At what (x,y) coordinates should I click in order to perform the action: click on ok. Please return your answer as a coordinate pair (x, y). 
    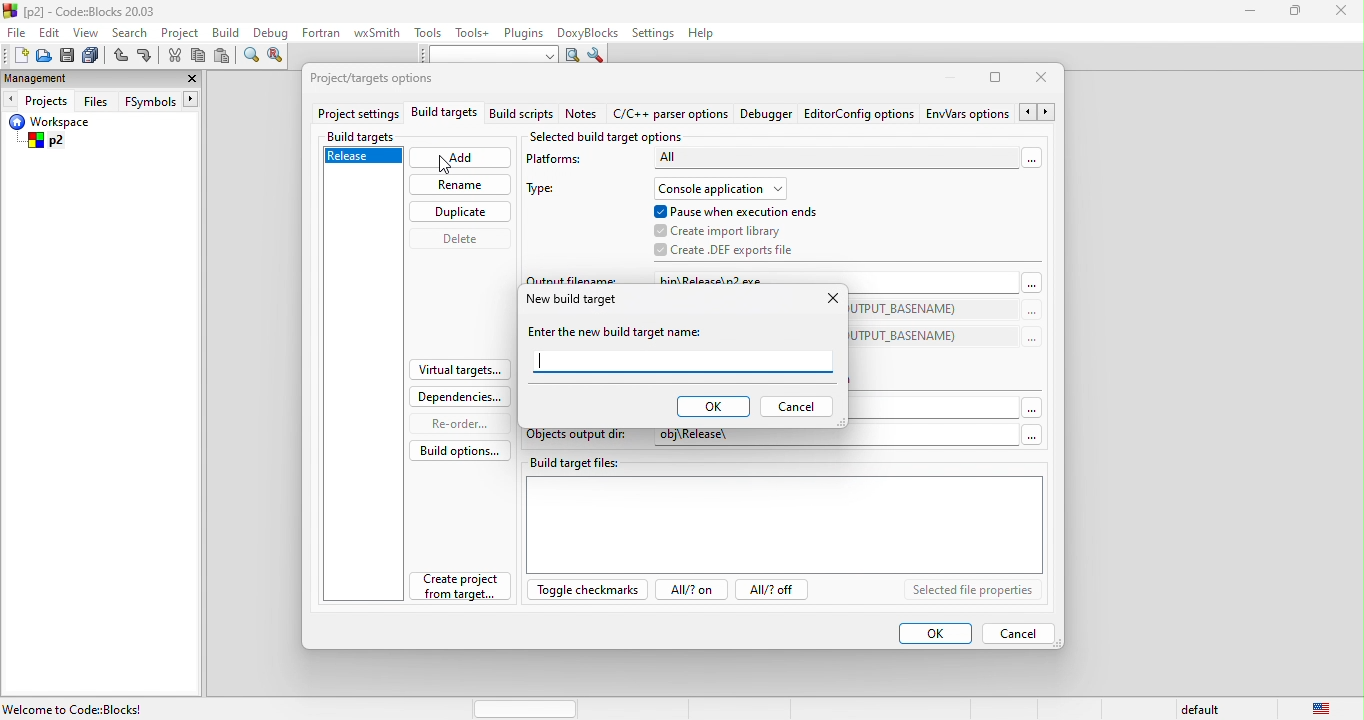
    Looking at the image, I should click on (711, 407).